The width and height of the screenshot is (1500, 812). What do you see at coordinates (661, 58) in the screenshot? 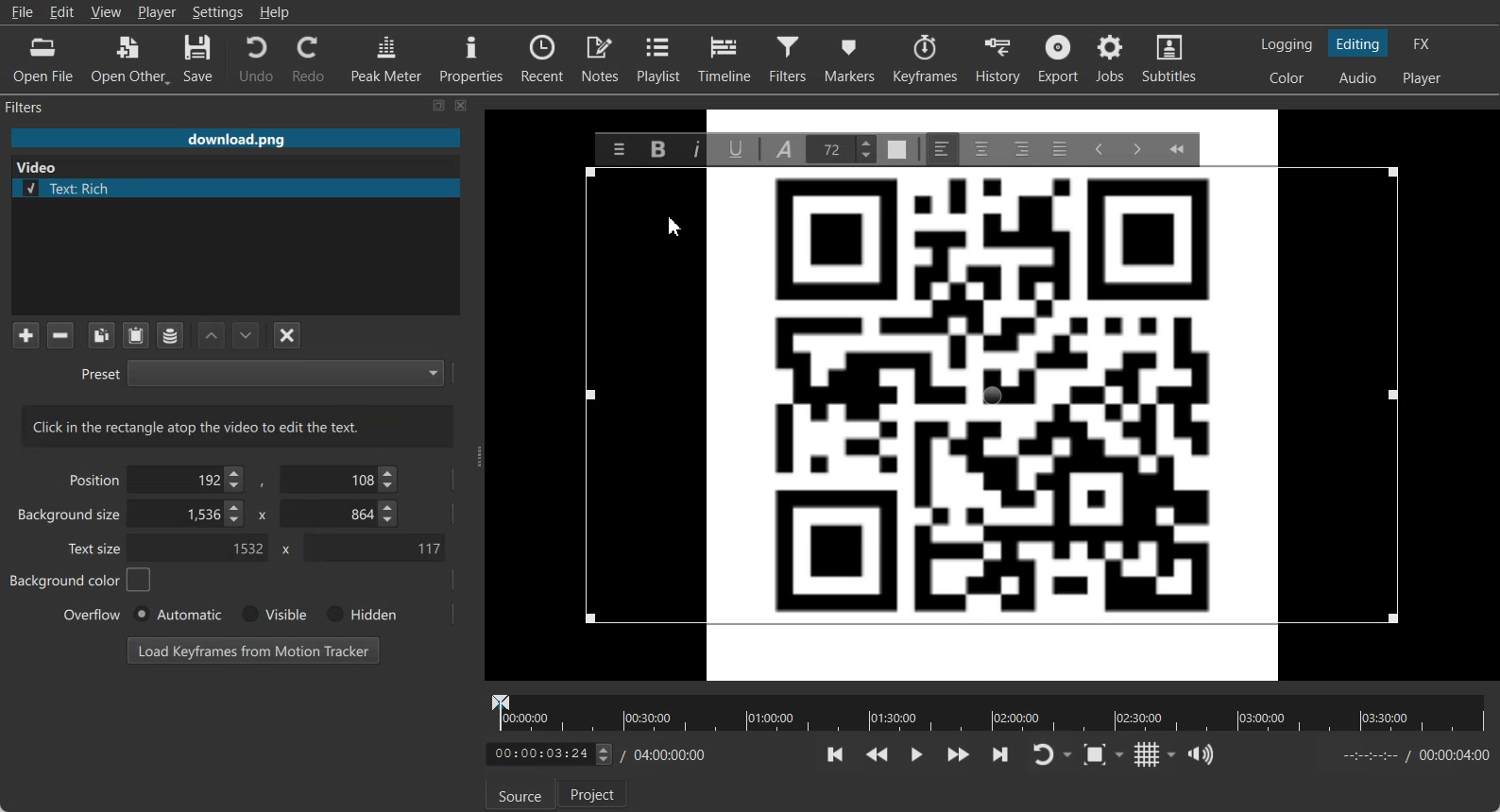
I see `Playlist` at bounding box center [661, 58].